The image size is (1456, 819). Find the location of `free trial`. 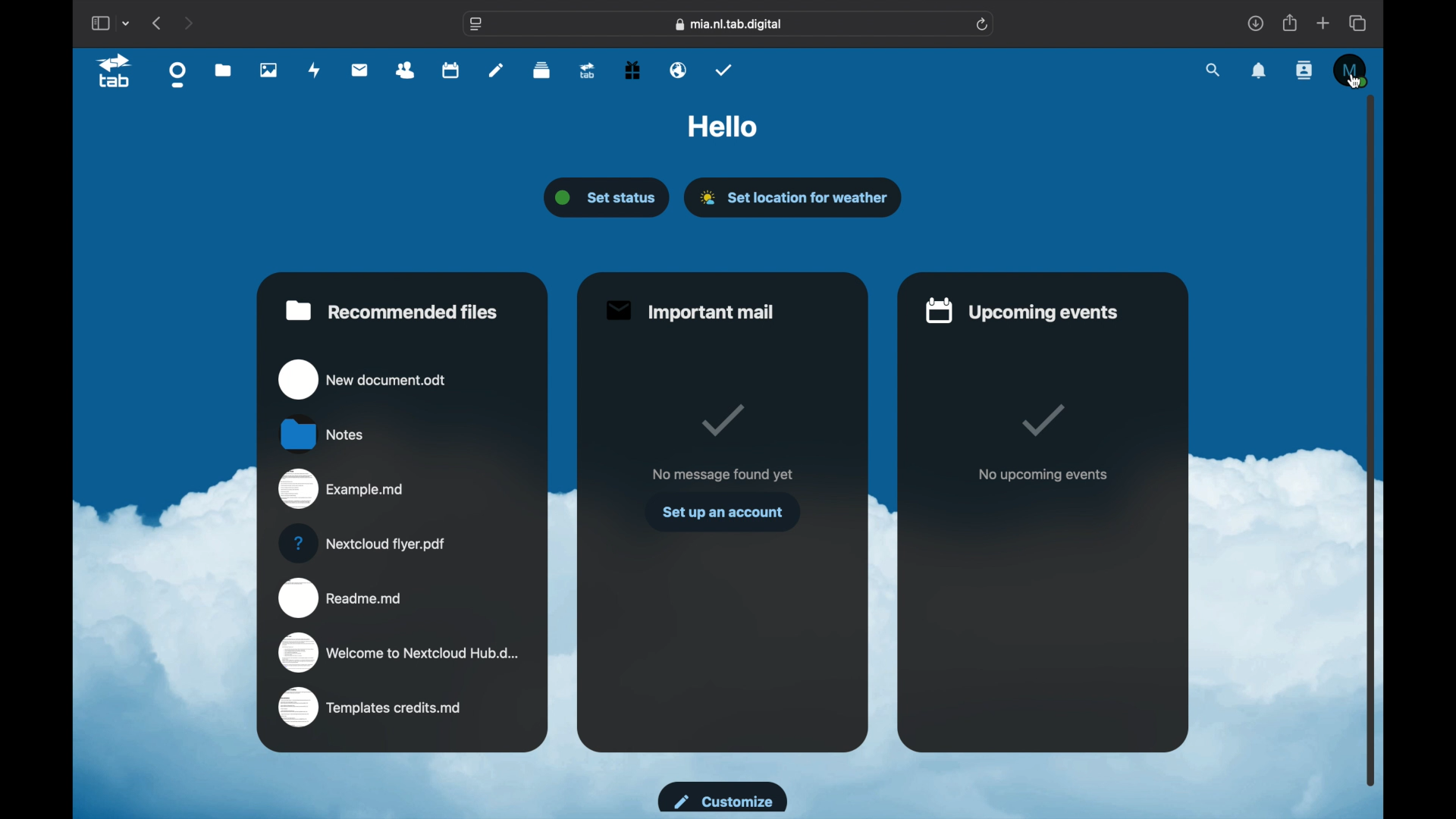

free trial is located at coordinates (632, 71).